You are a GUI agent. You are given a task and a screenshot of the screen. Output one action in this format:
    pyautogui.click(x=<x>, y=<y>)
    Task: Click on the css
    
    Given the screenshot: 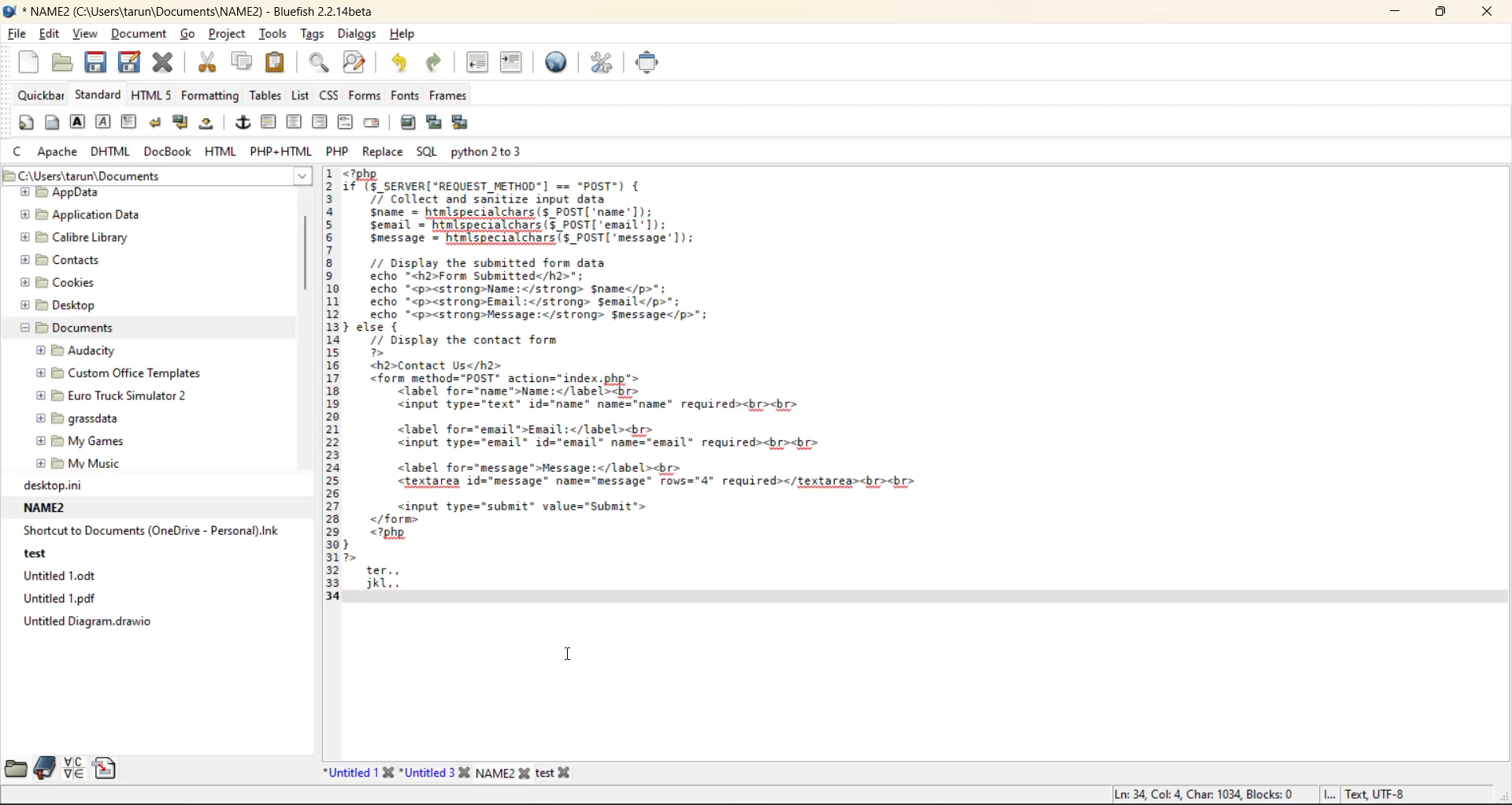 What is the action you would take?
    pyautogui.click(x=330, y=97)
    